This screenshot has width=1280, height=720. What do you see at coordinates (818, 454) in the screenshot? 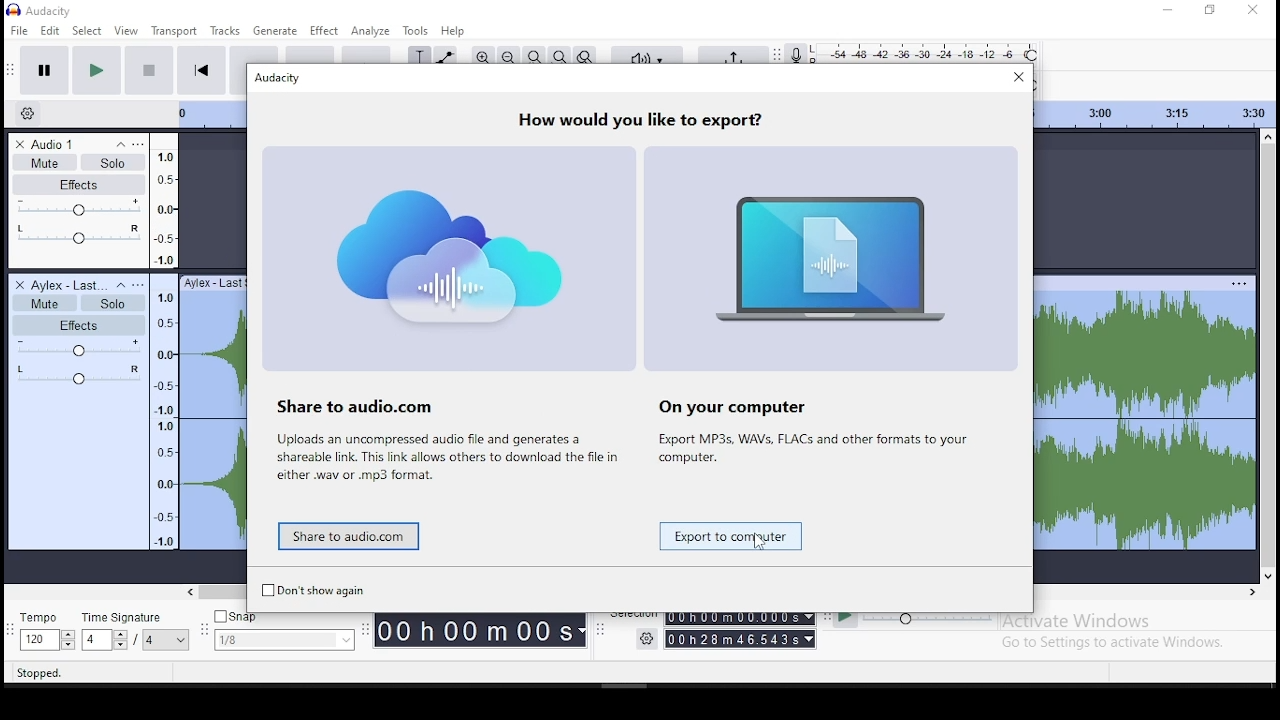
I see `text` at bounding box center [818, 454].